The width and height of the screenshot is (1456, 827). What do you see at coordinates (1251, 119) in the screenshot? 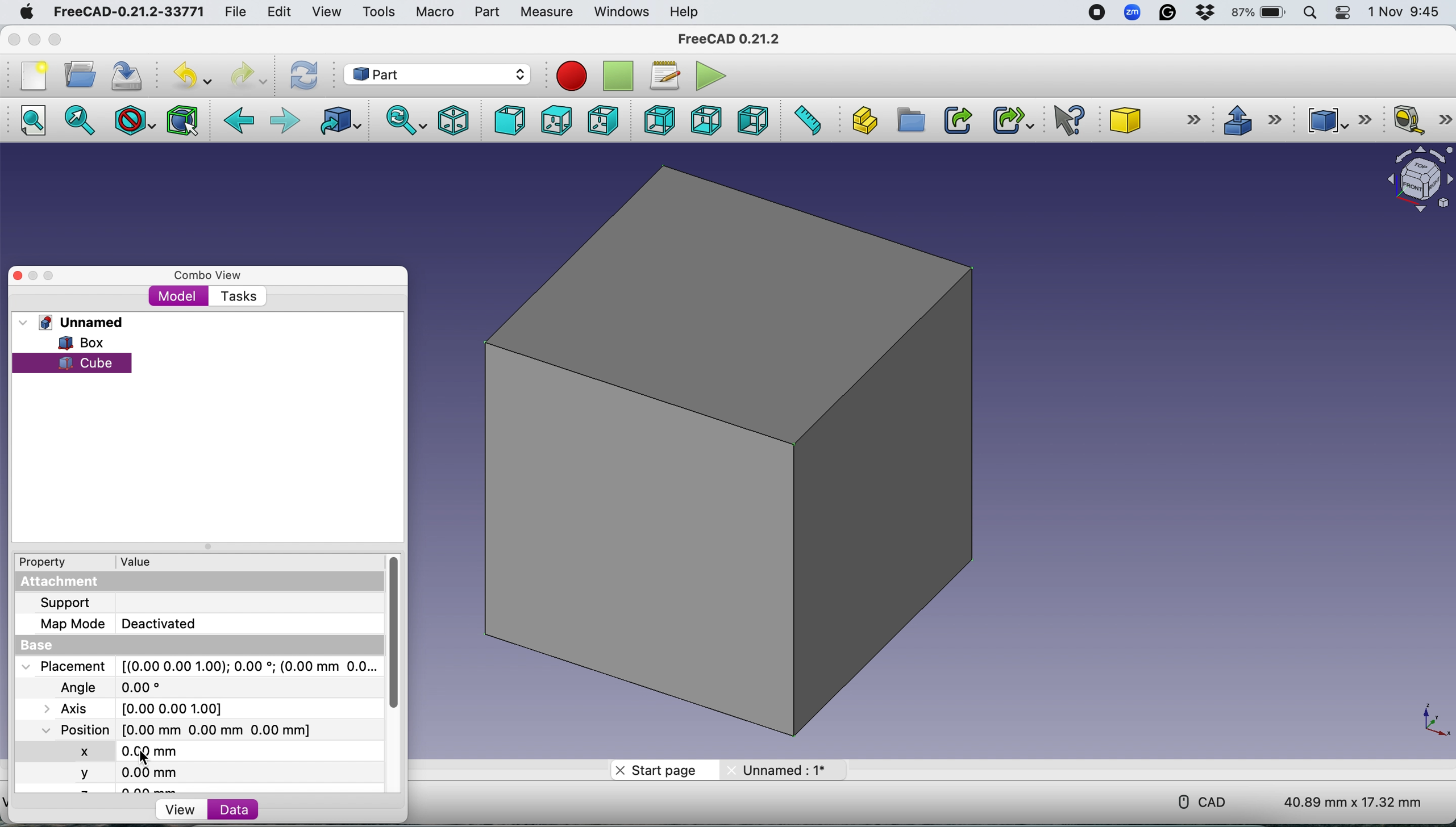
I see `Extrude` at bounding box center [1251, 119].